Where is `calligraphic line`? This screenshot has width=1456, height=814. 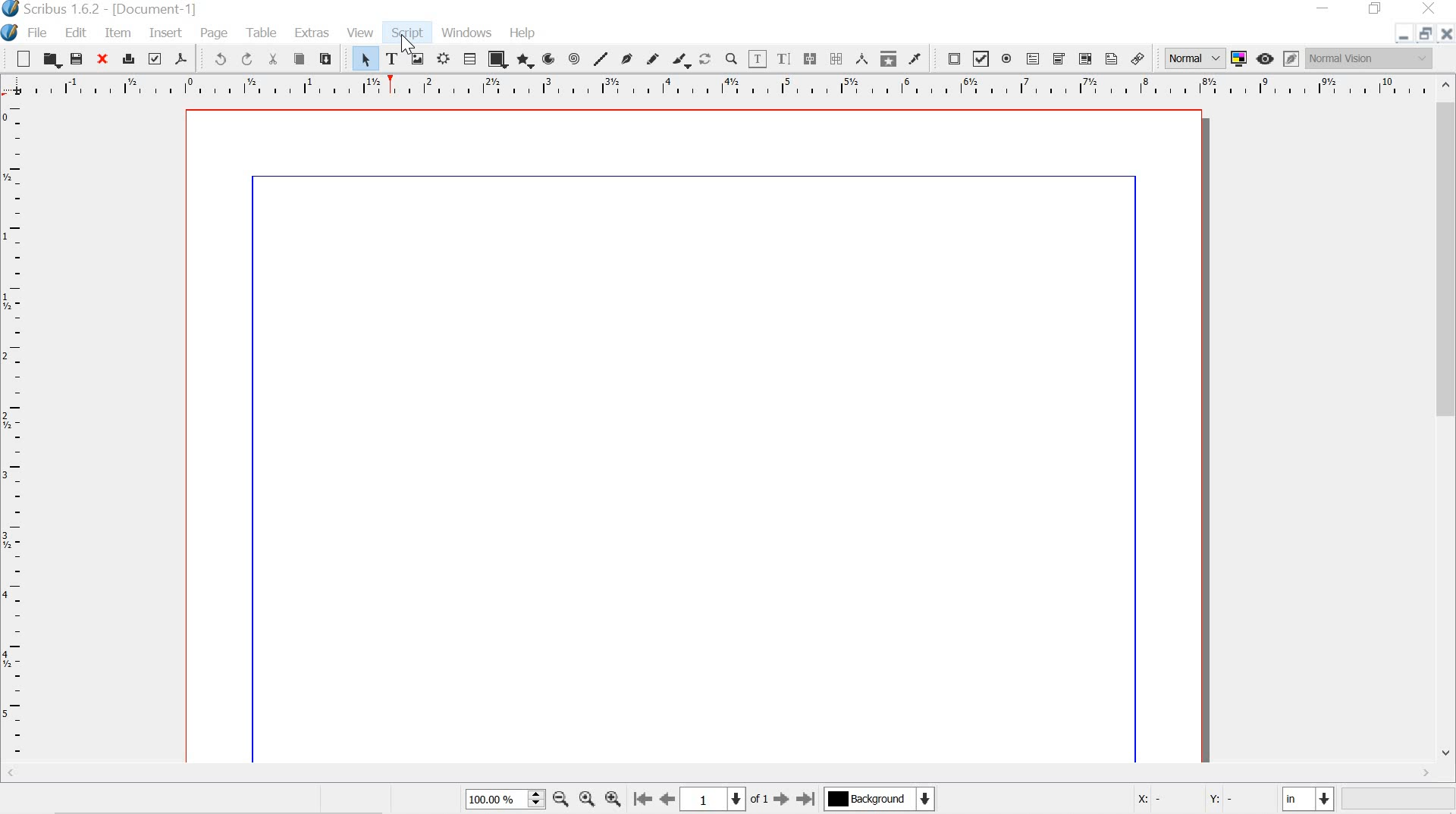
calligraphic line is located at coordinates (682, 61).